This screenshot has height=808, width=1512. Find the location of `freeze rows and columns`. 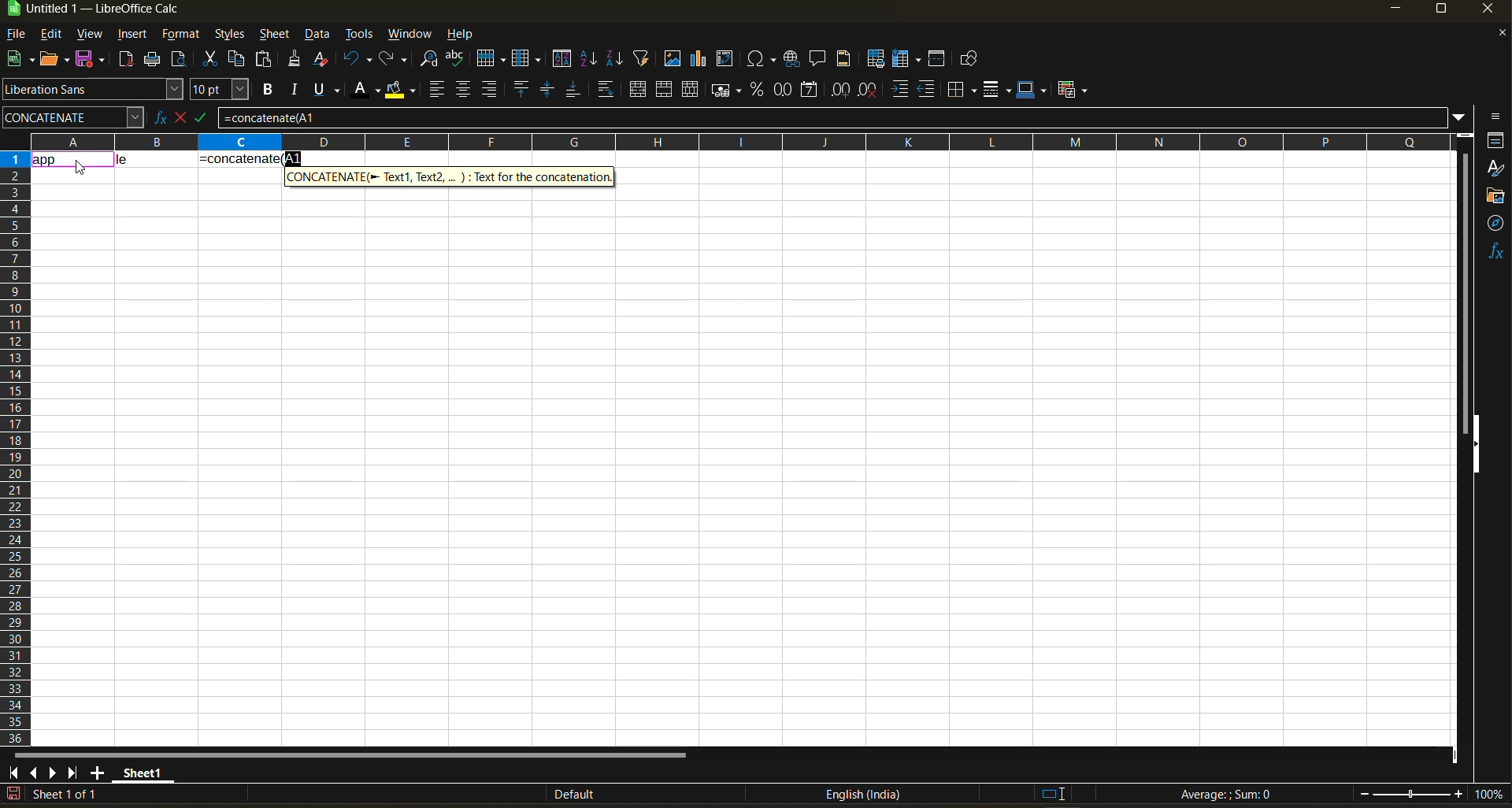

freeze rows and columns is located at coordinates (902, 60).